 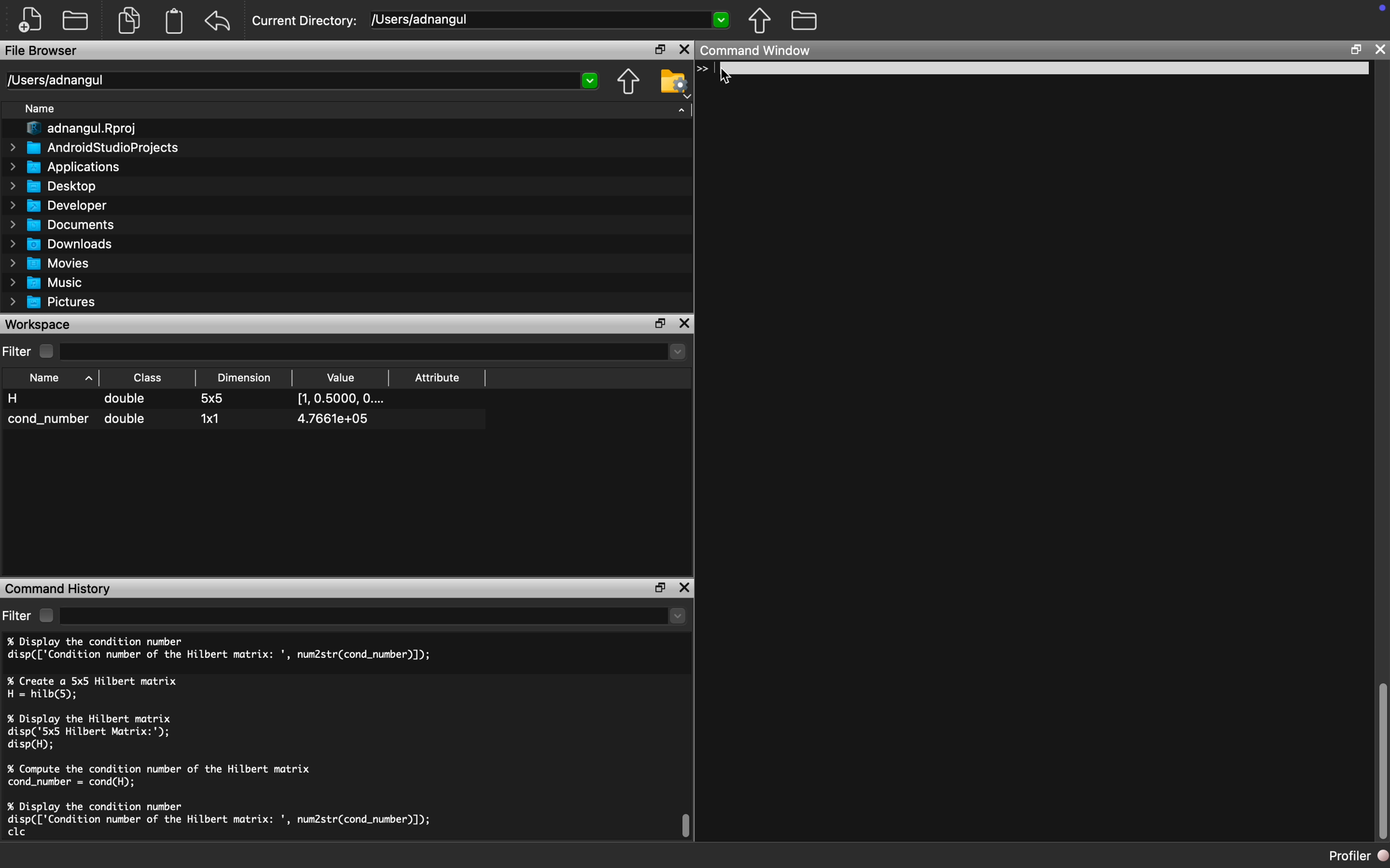 What do you see at coordinates (731, 77) in the screenshot?
I see `Cursor` at bounding box center [731, 77].